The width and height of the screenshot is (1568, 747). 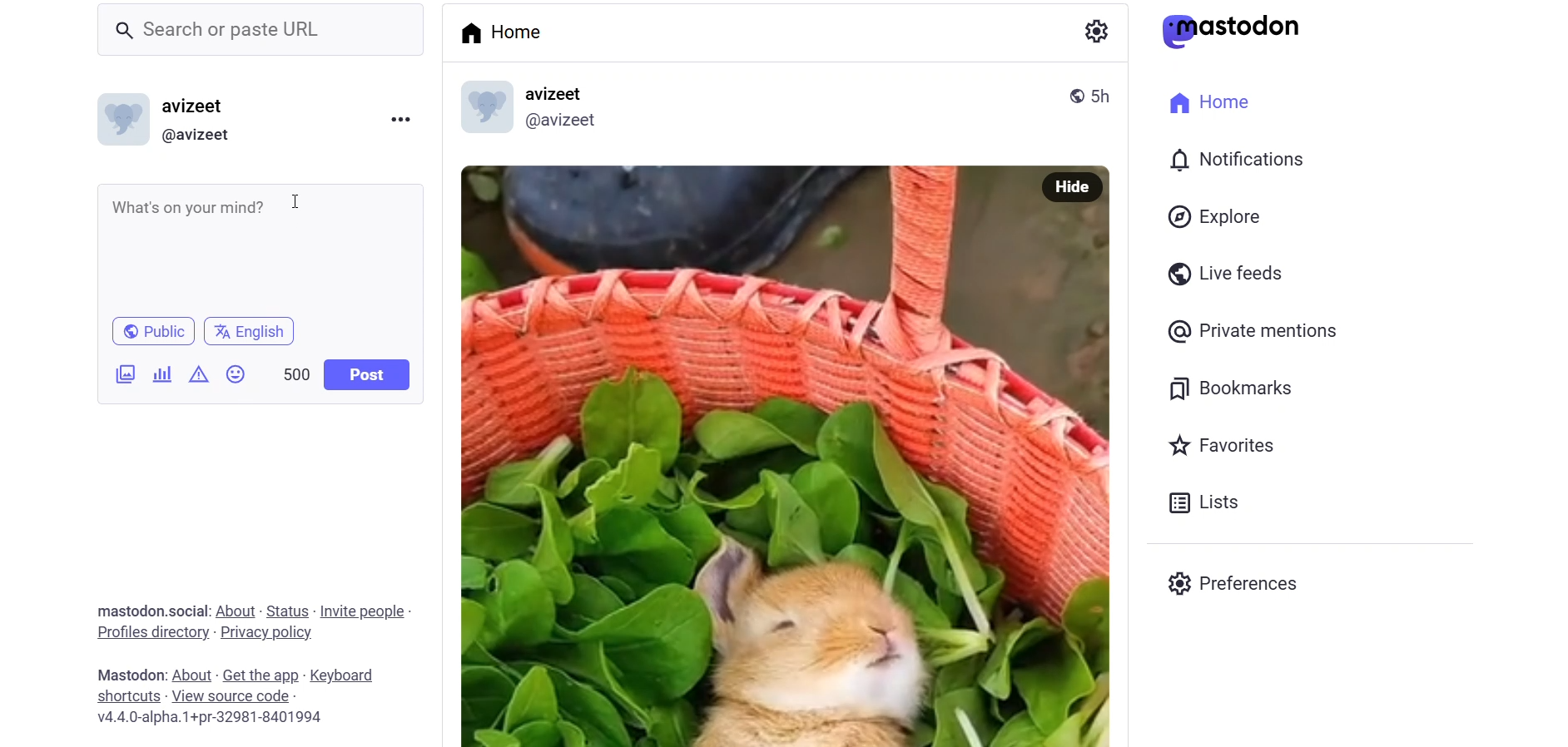 What do you see at coordinates (1228, 448) in the screenshot?
I see `favorites` at bounding box center [1228, 448].